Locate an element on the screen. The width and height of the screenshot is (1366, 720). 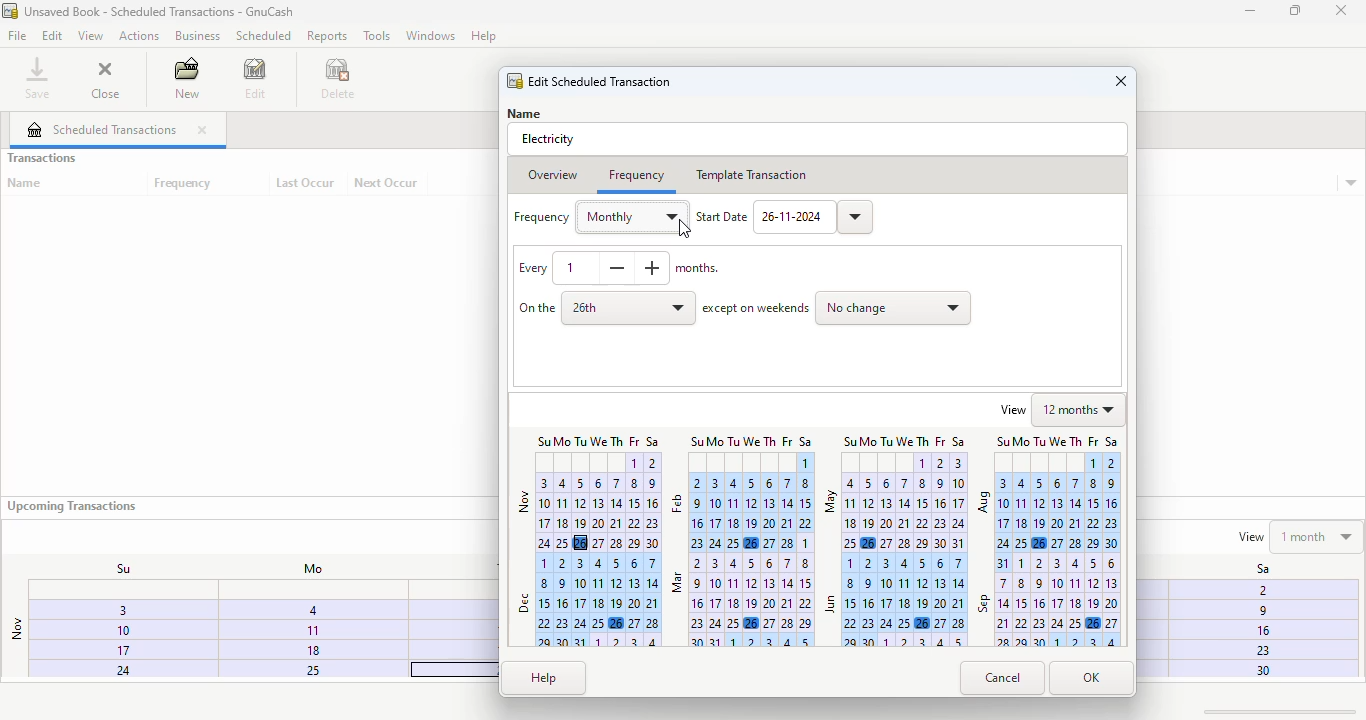
12 months is located at coordinates (1080, 409).